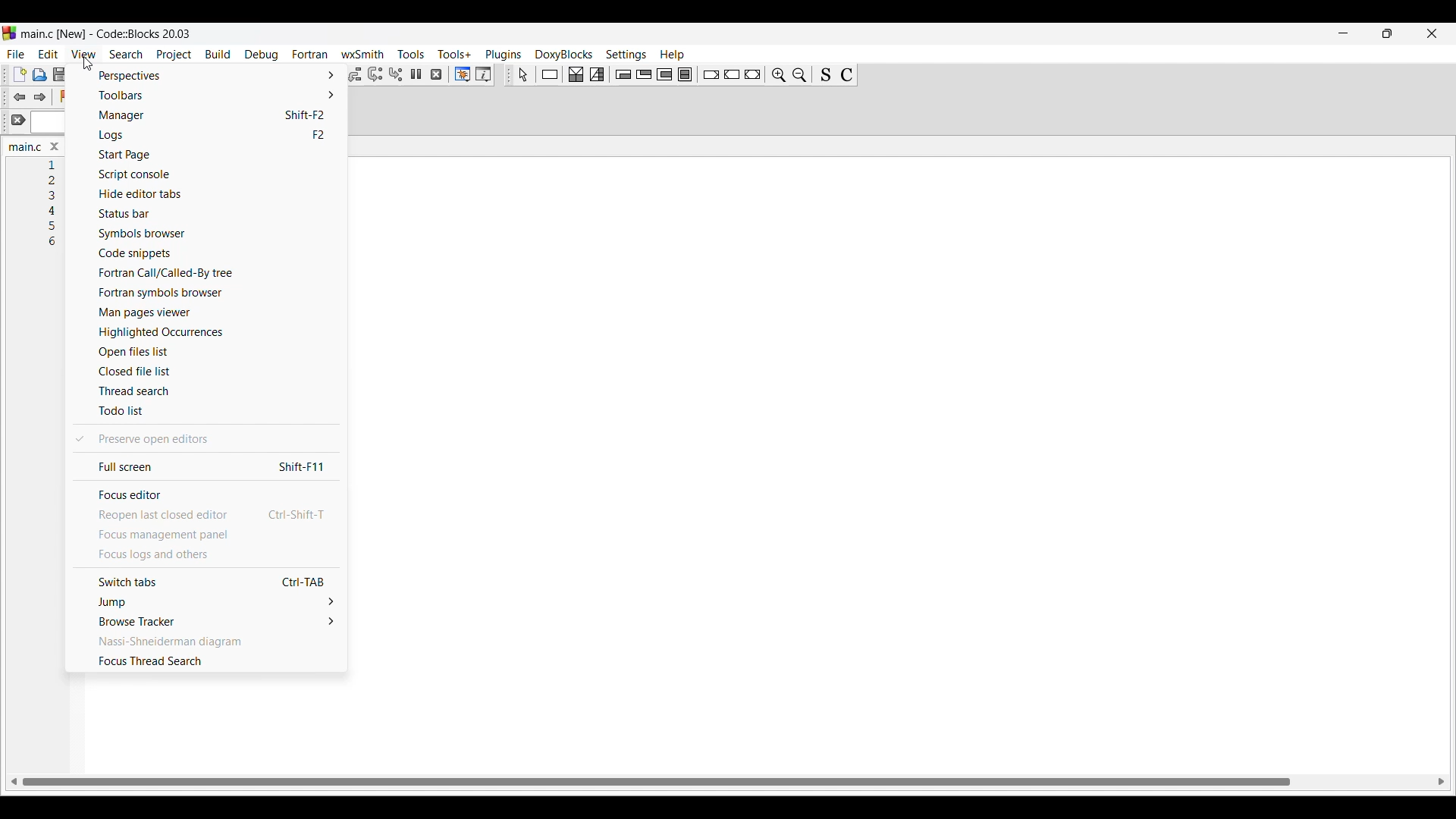 Image resolution: width=1456 pixels, height=819 pixels. What do you see at coordinates (261, 55) in the screenshot?
I see `Debug menu` at bounding box center [261, 55].